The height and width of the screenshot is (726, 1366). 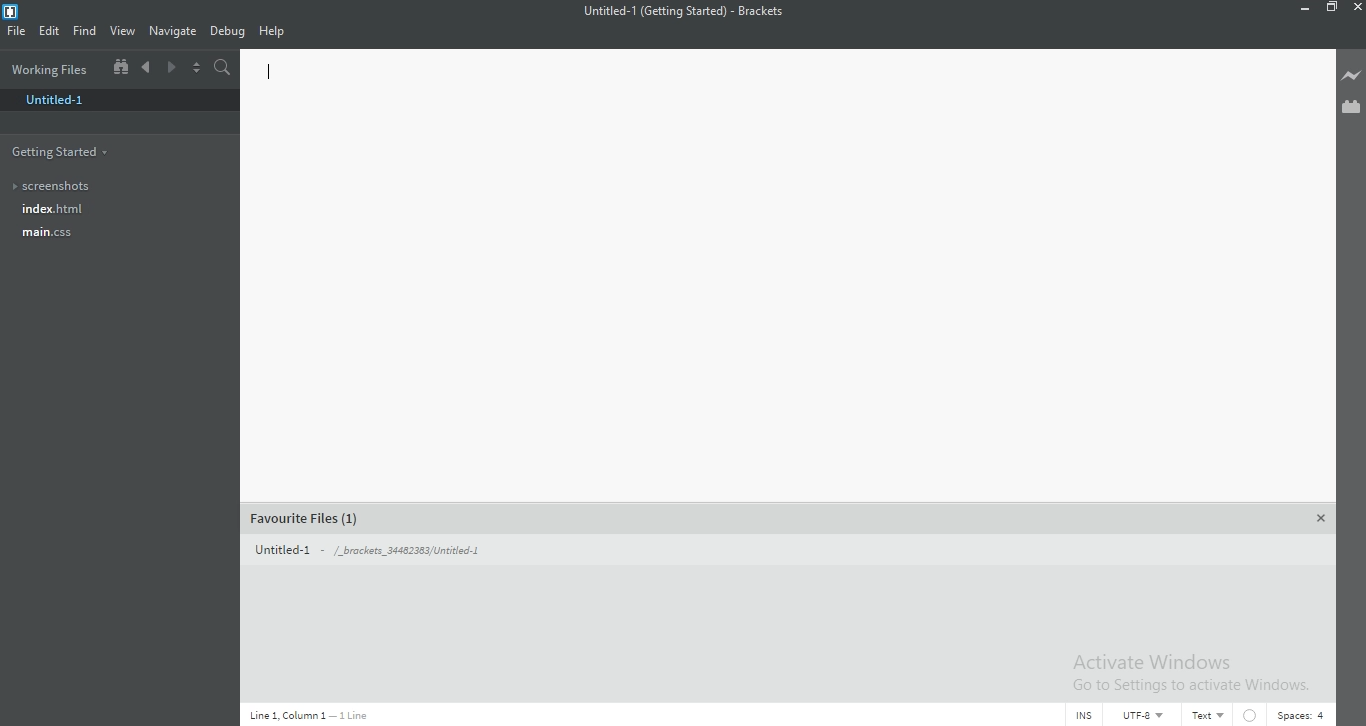 I want to click on Working files, so click(x=49, y=70).